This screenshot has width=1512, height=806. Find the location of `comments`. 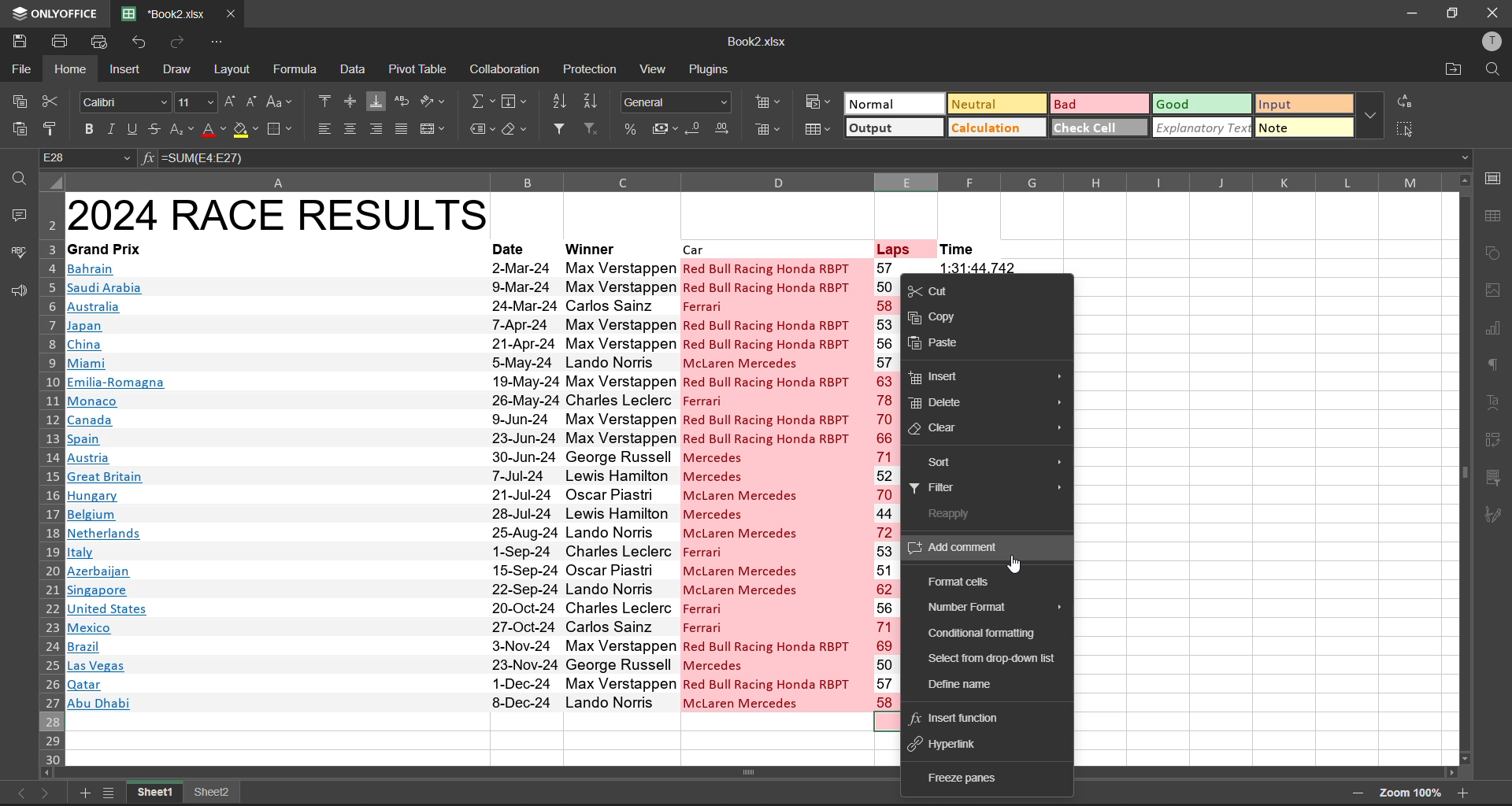

comments is located at coordinates (18, 216).